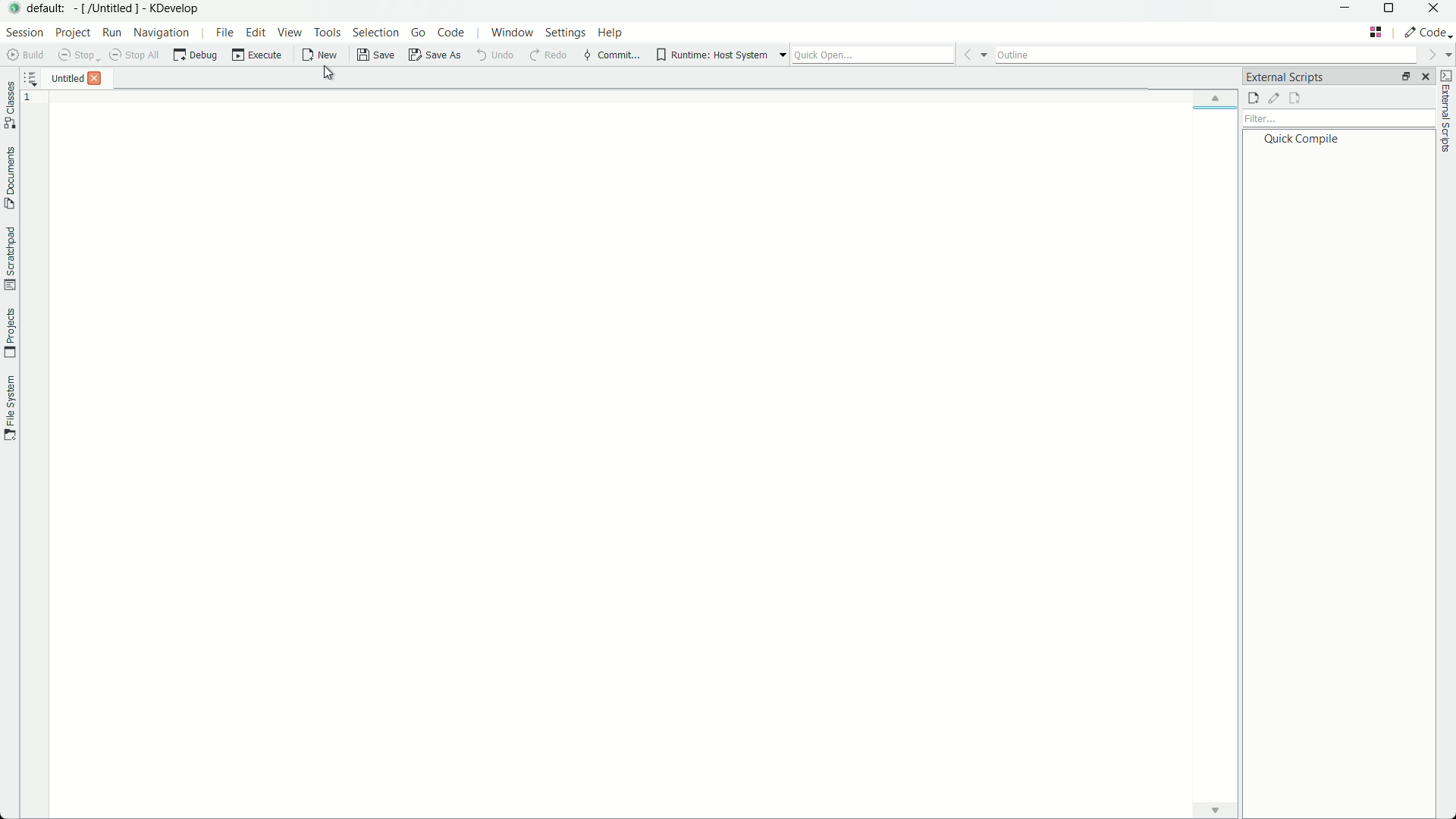  Describe the element at coordinates (175, 8) in the screenshot. I see `kdevelop` at that location.